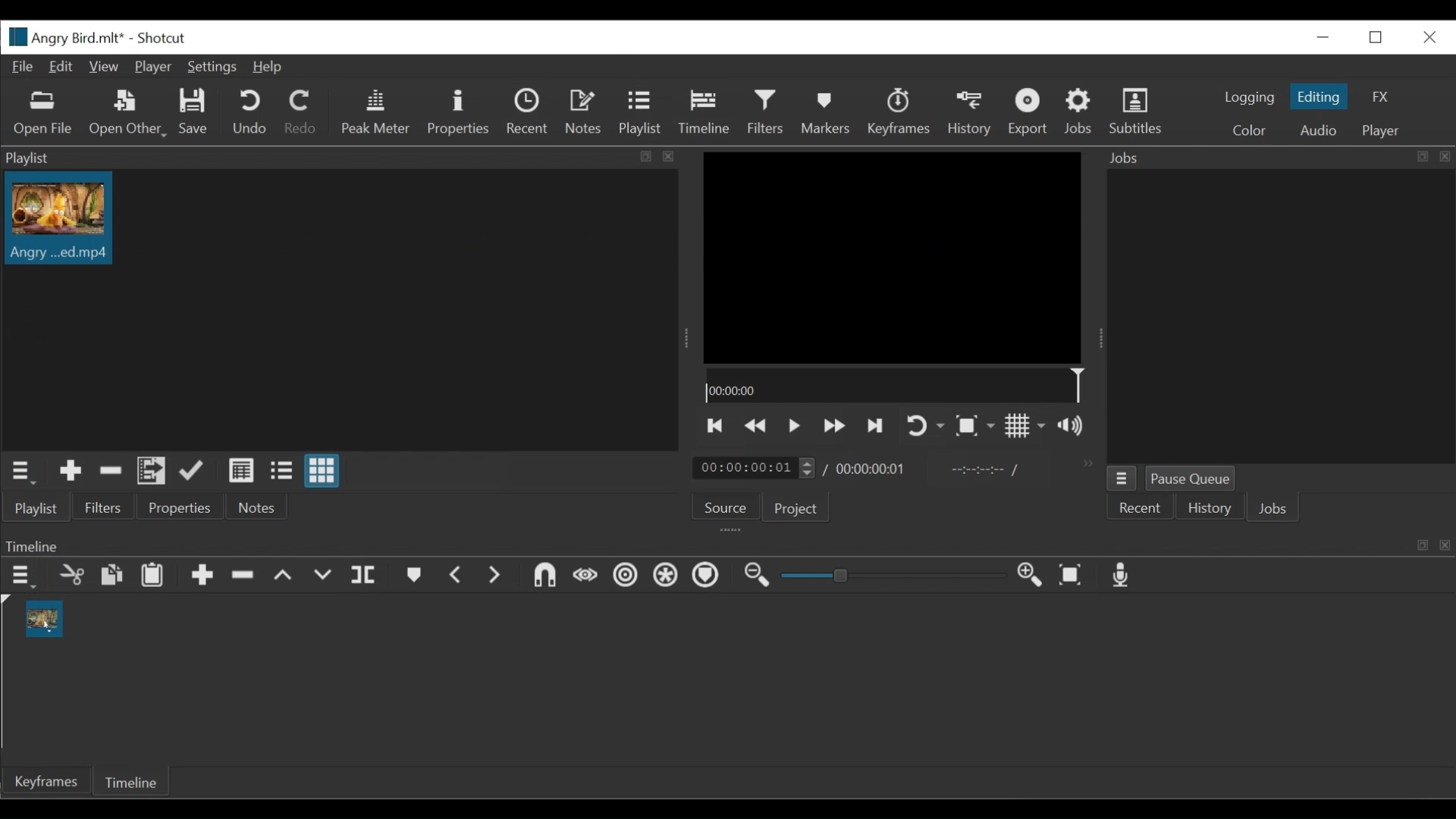  I want to click on Zoom timeline in, so click(1031, 575).